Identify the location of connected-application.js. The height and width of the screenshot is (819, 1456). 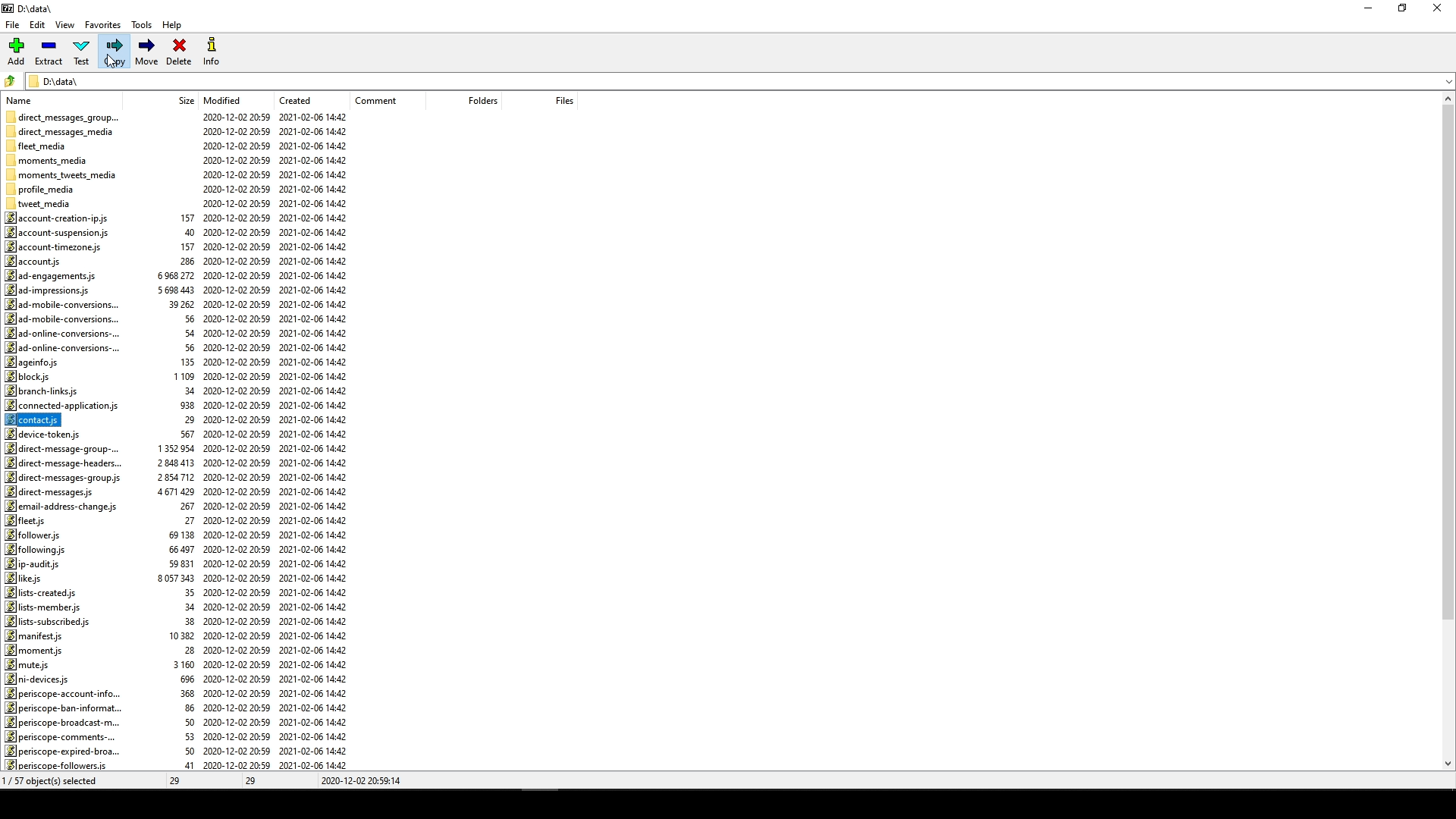
(61, 406).